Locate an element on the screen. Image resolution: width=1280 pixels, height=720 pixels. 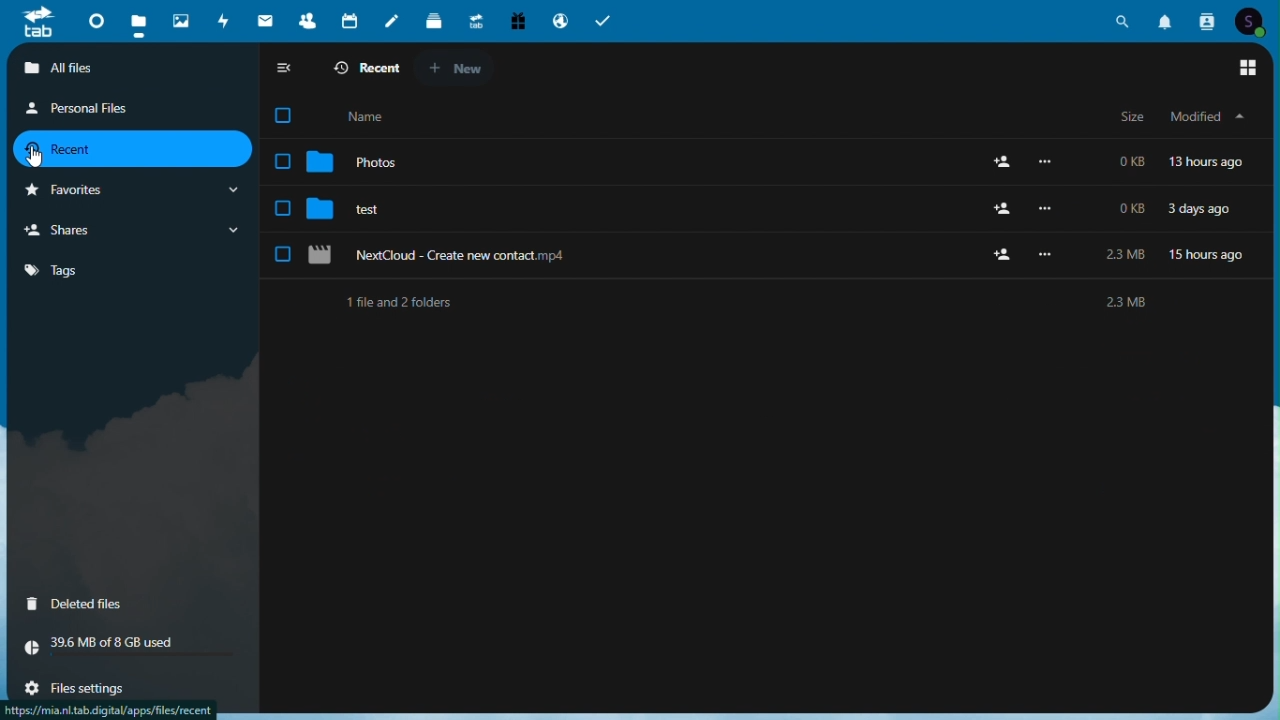
checkbox is located at coordinates (281, 254).